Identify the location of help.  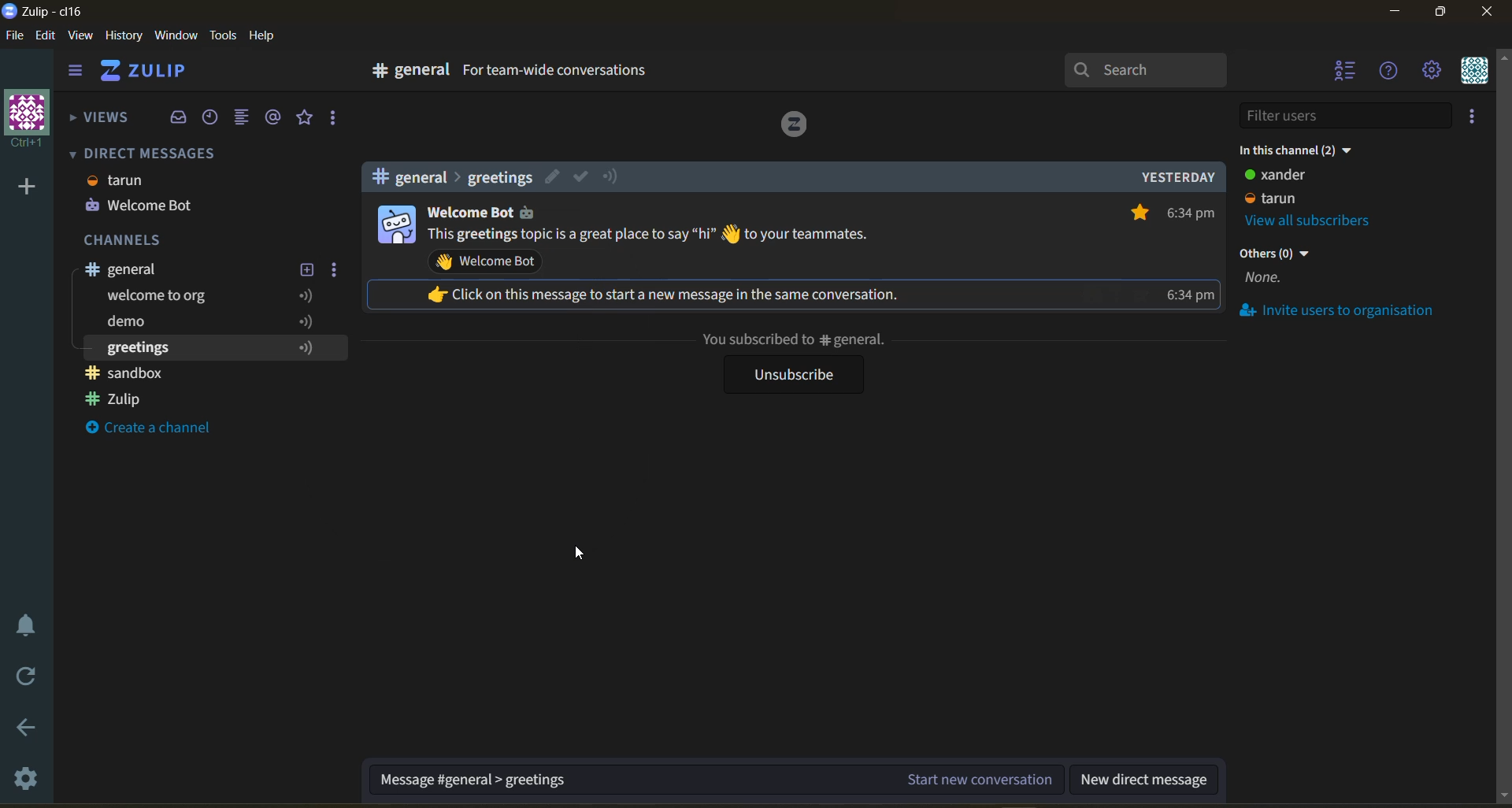
(267, 38).